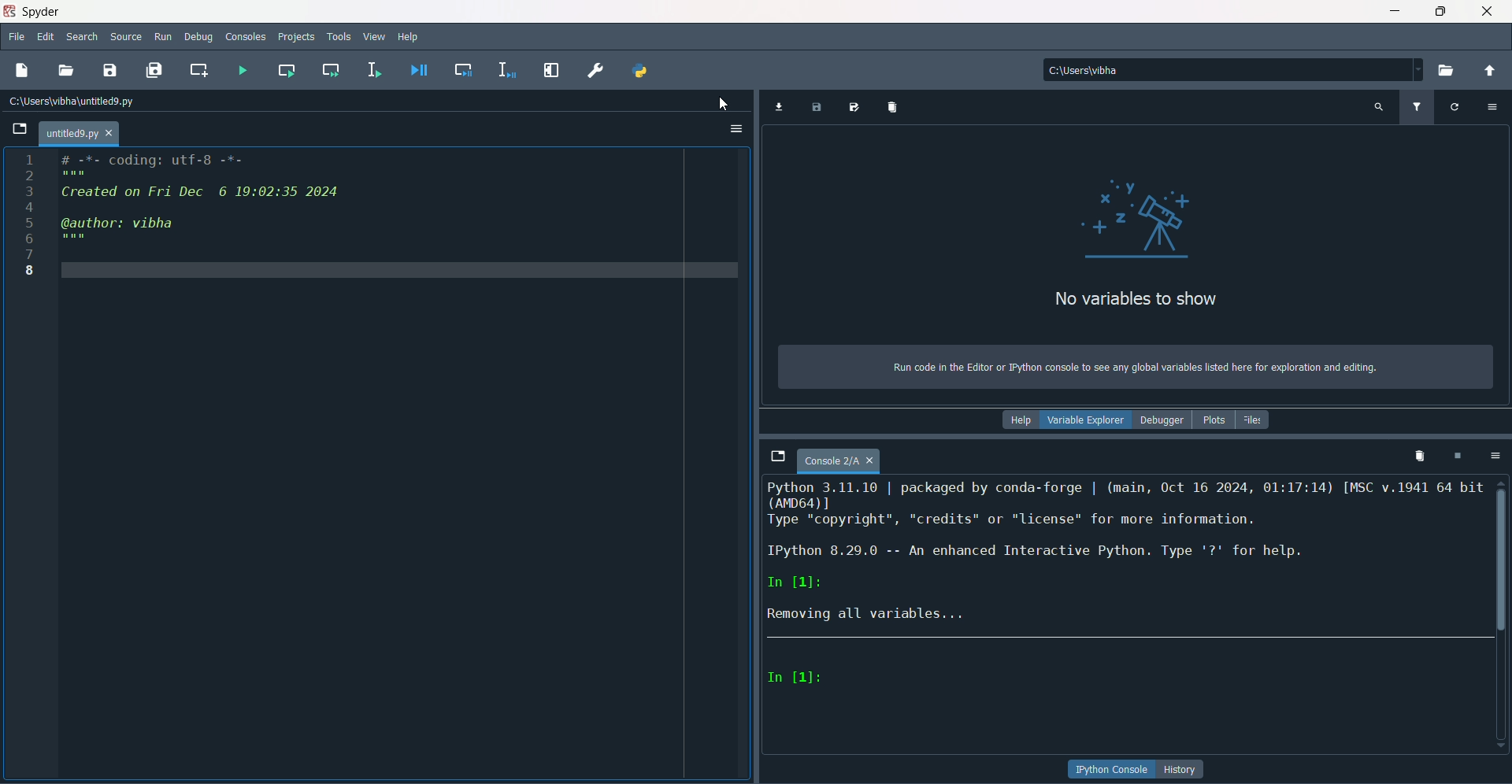  What do you see at coordinates (1456, 456) in the screenshot?
I see `interrupt kernel` at bounding box center [1456, 456].